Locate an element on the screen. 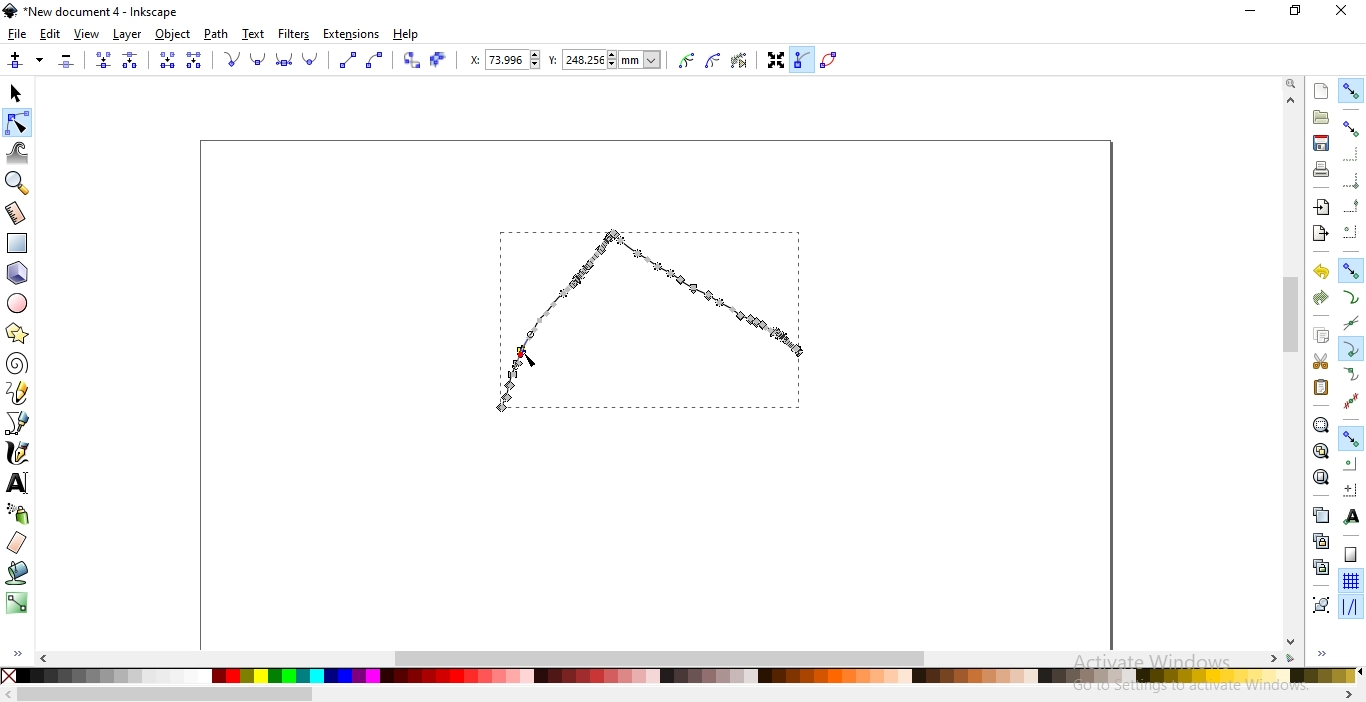  create rectangles and squares is located at coordinates (16, 243).